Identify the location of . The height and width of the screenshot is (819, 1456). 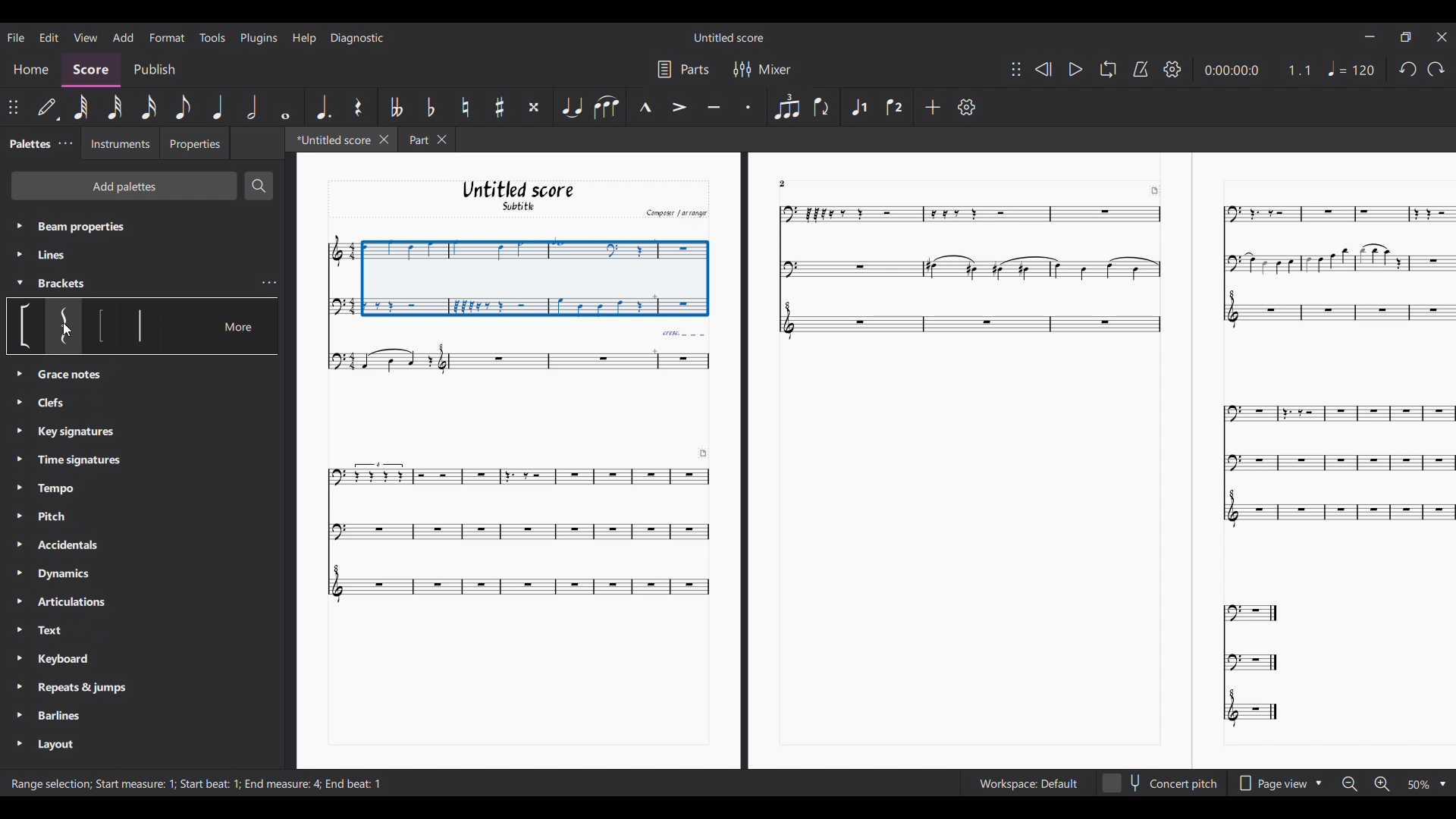
(16, 745).